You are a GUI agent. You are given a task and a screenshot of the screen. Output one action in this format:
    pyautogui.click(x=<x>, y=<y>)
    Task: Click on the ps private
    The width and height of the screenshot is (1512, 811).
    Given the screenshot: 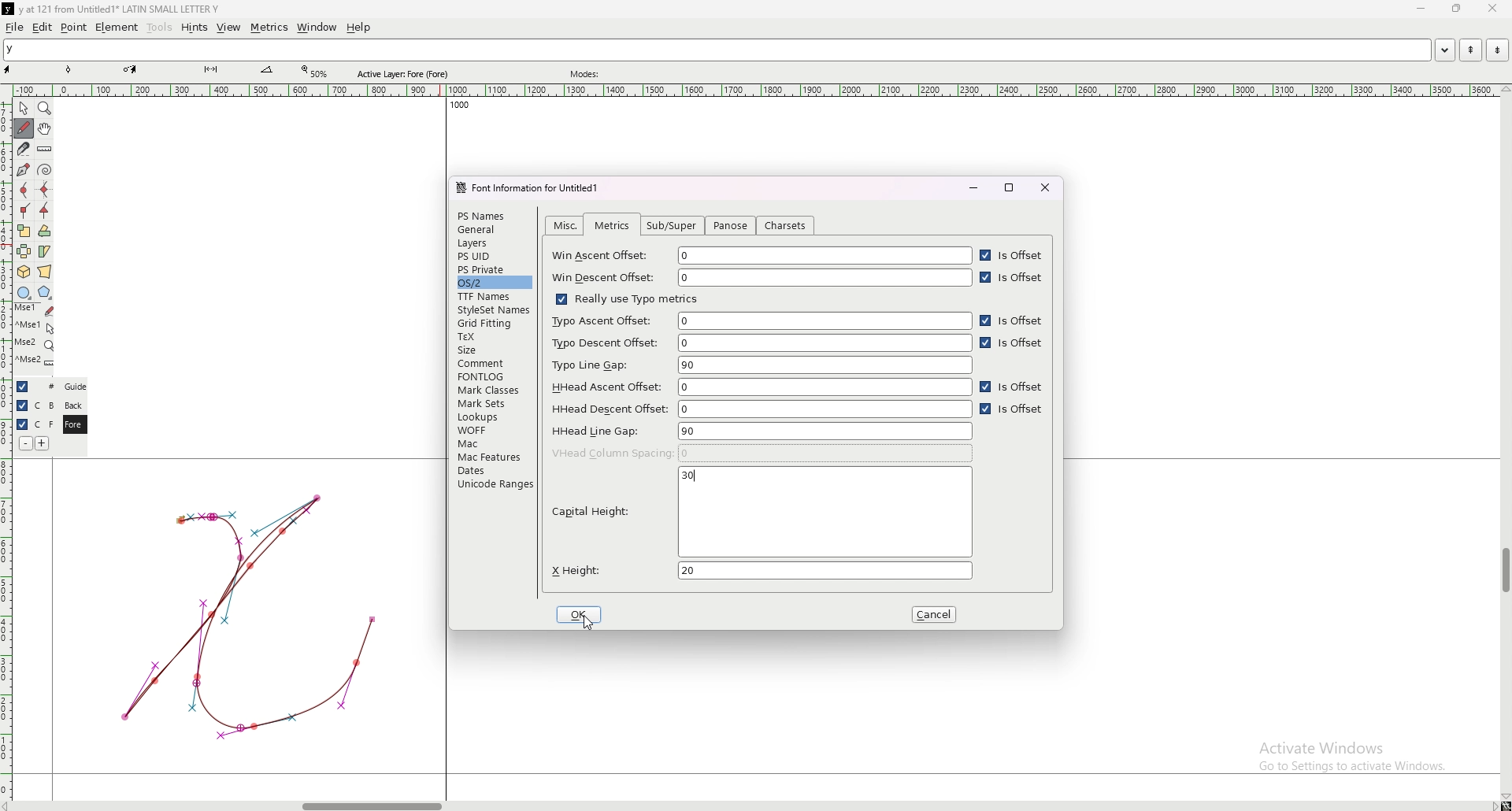 What is the action you would take?
    pyautogui.click(x=495, y=269)
    